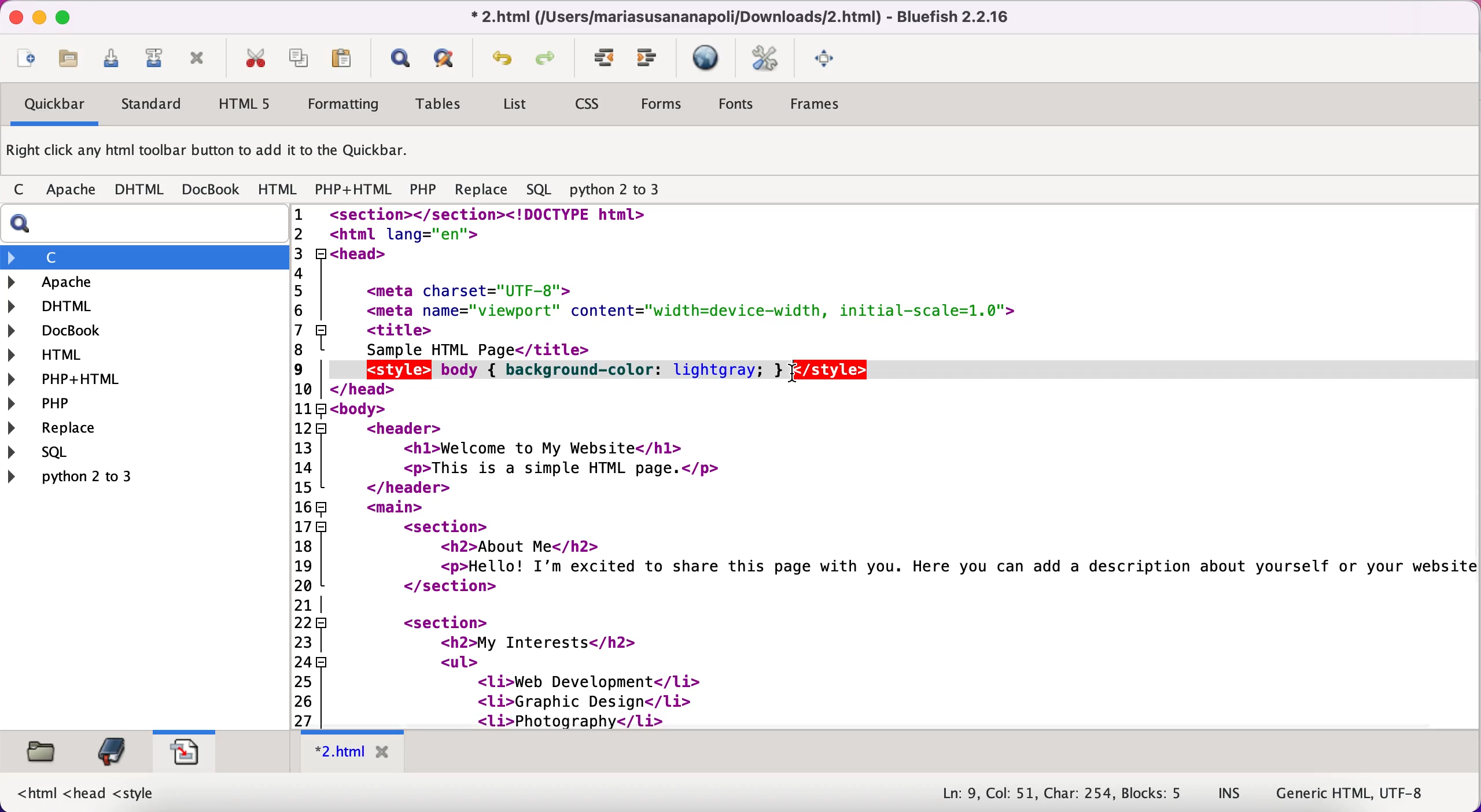 This screenshot has width=1481, height=812. I want to click on maximize, so click(63, 16).